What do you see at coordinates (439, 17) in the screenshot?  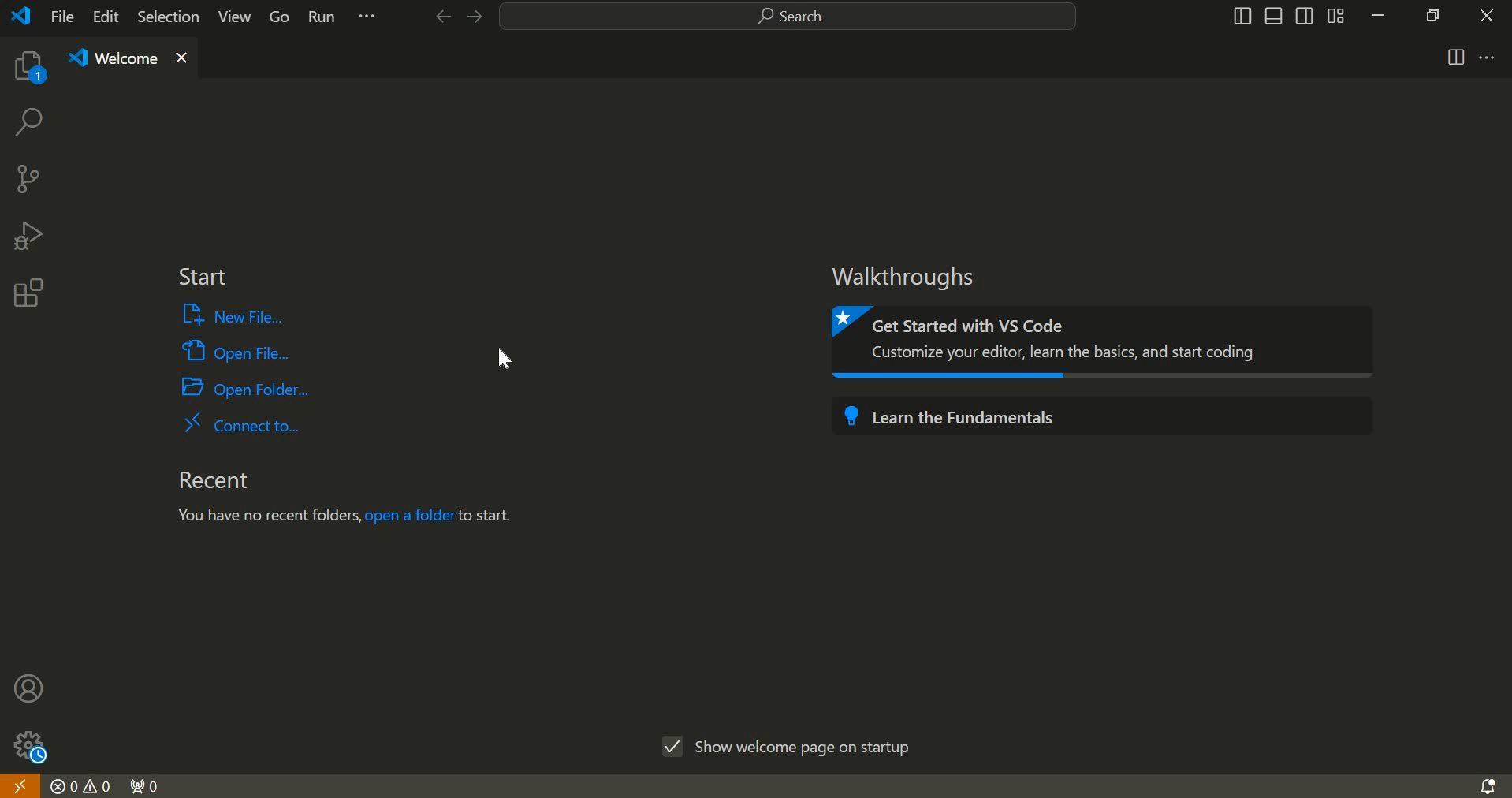 I see `go forward` at bounding box center [439, 17].